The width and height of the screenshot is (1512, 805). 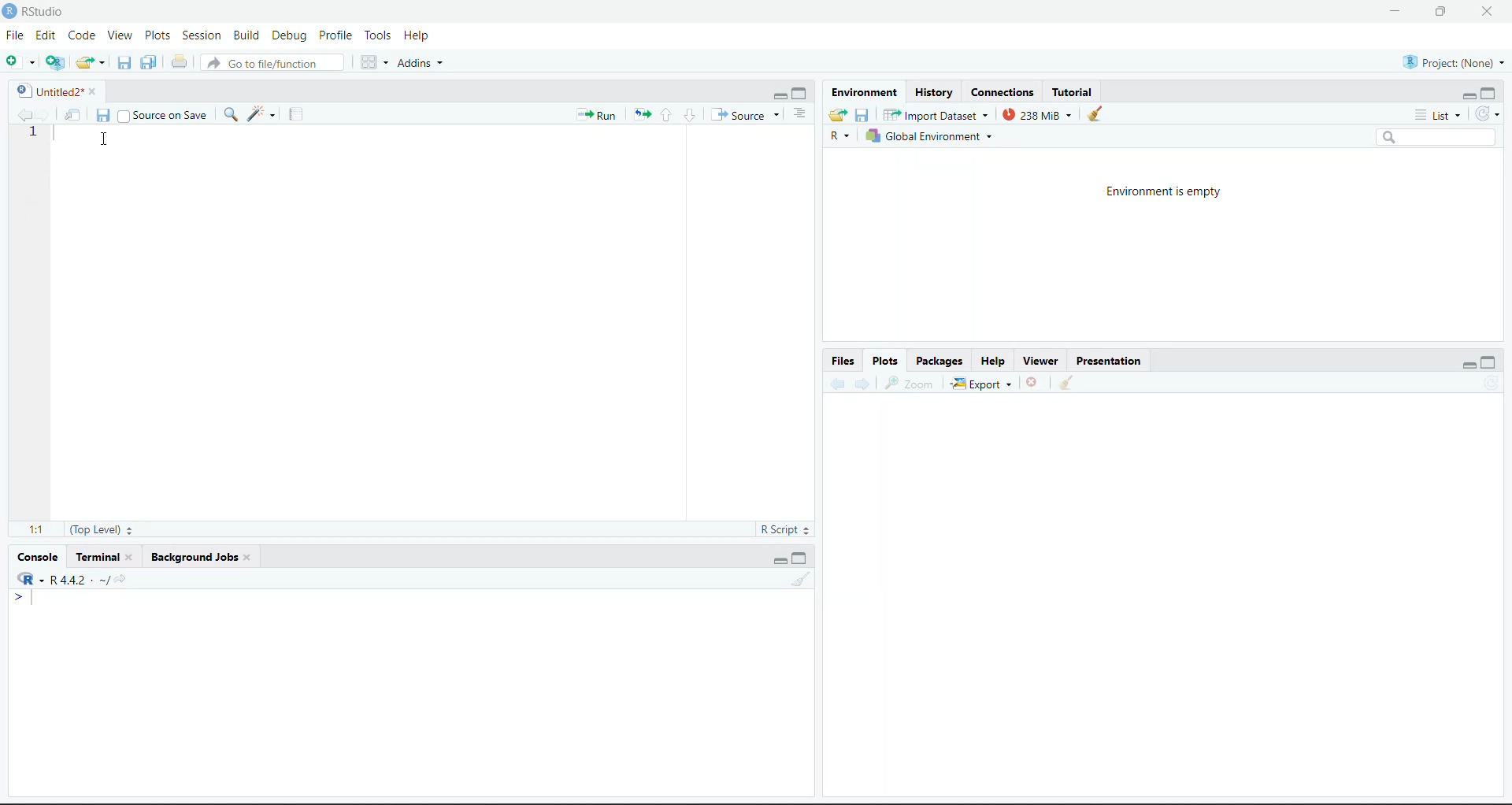 I want to click on maximize, so click(x=801, y=558).